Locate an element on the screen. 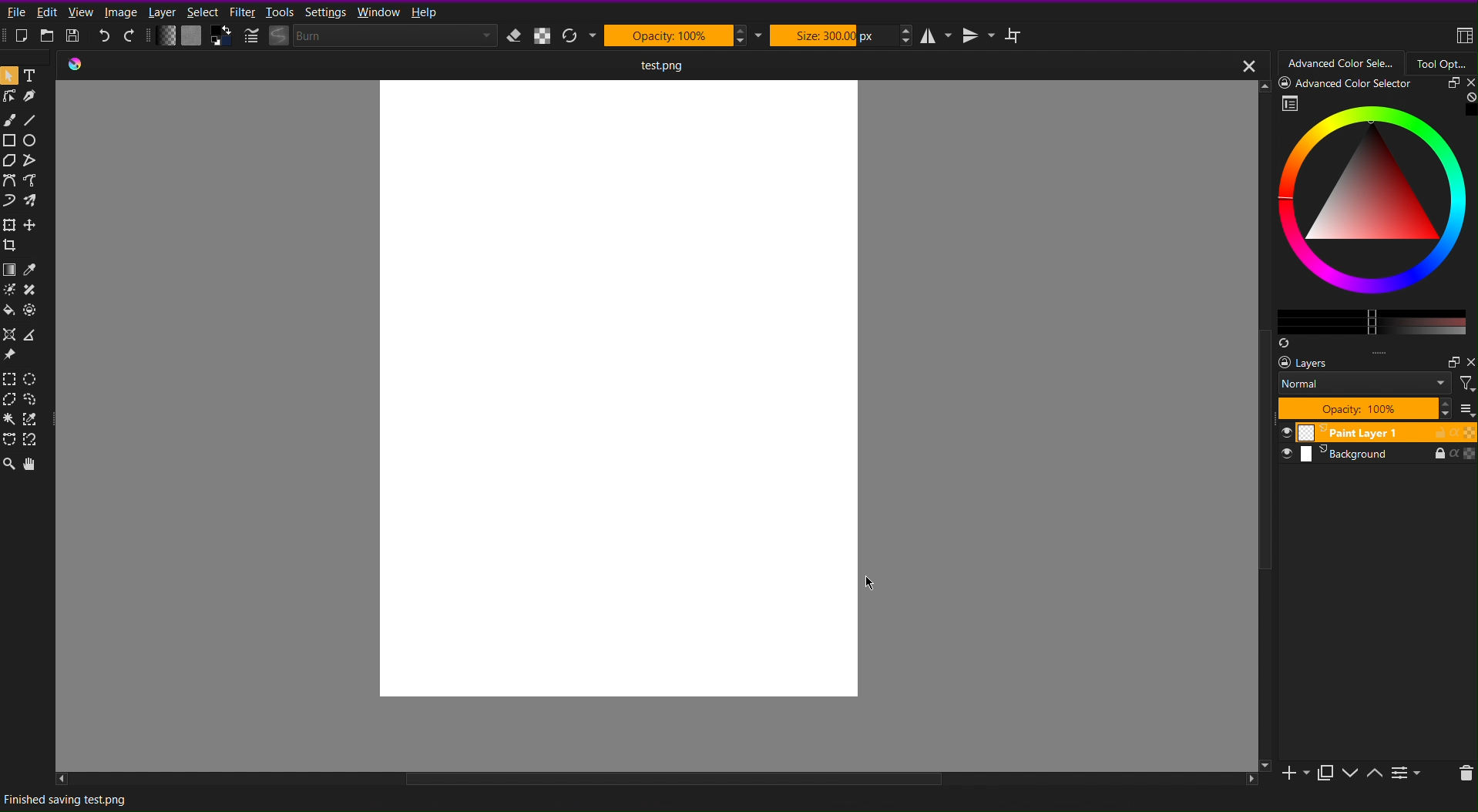  Image is located at coordinates (119, 12).